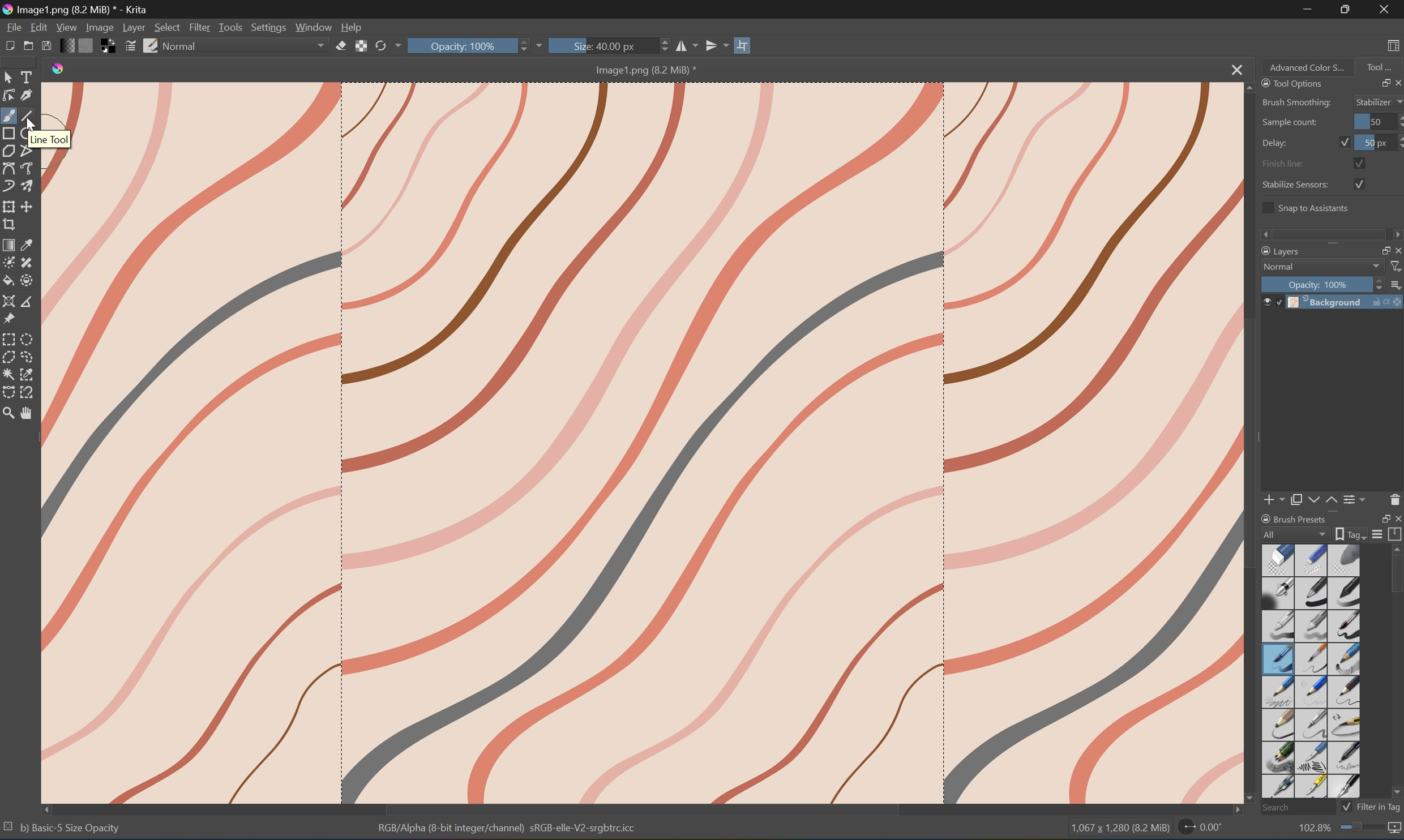  Describe the element at coordinates (1296, 499) in the screenshot. I see `Duplicate layer or mask ` at that location.